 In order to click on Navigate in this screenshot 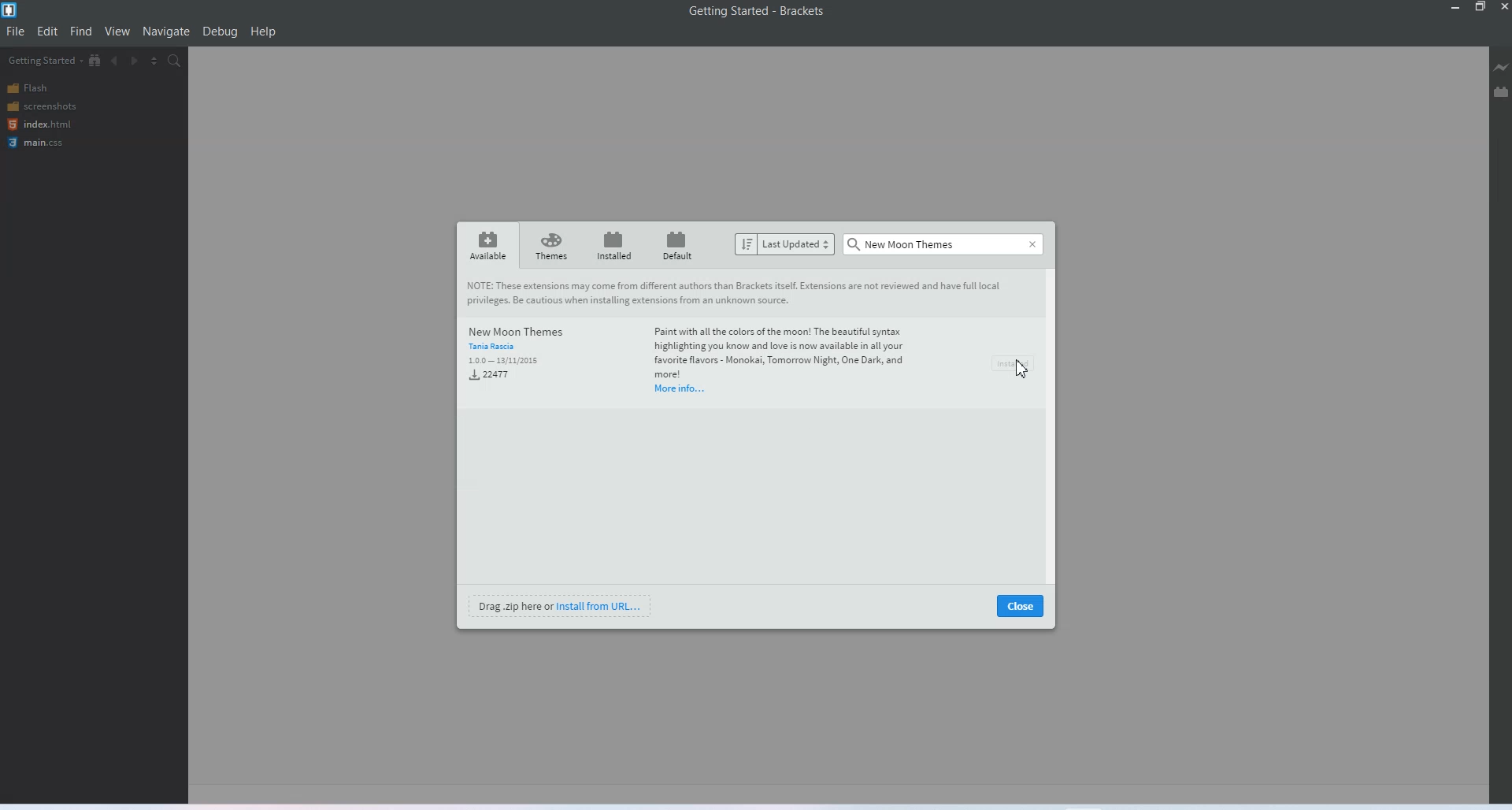, I will do `click(166, 32)`.